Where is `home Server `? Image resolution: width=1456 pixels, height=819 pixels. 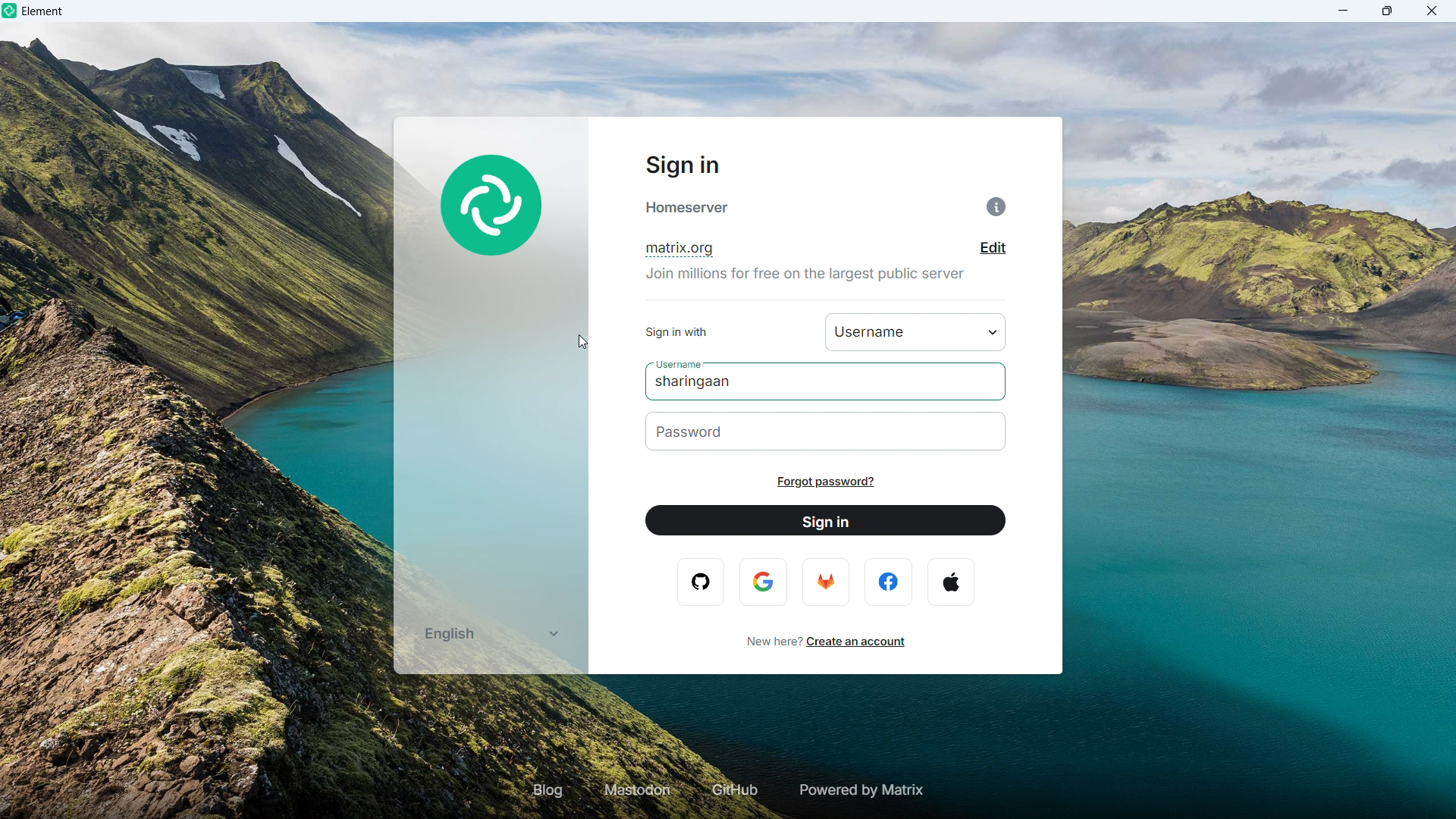
home Server  is located at coordinates (689, 208).